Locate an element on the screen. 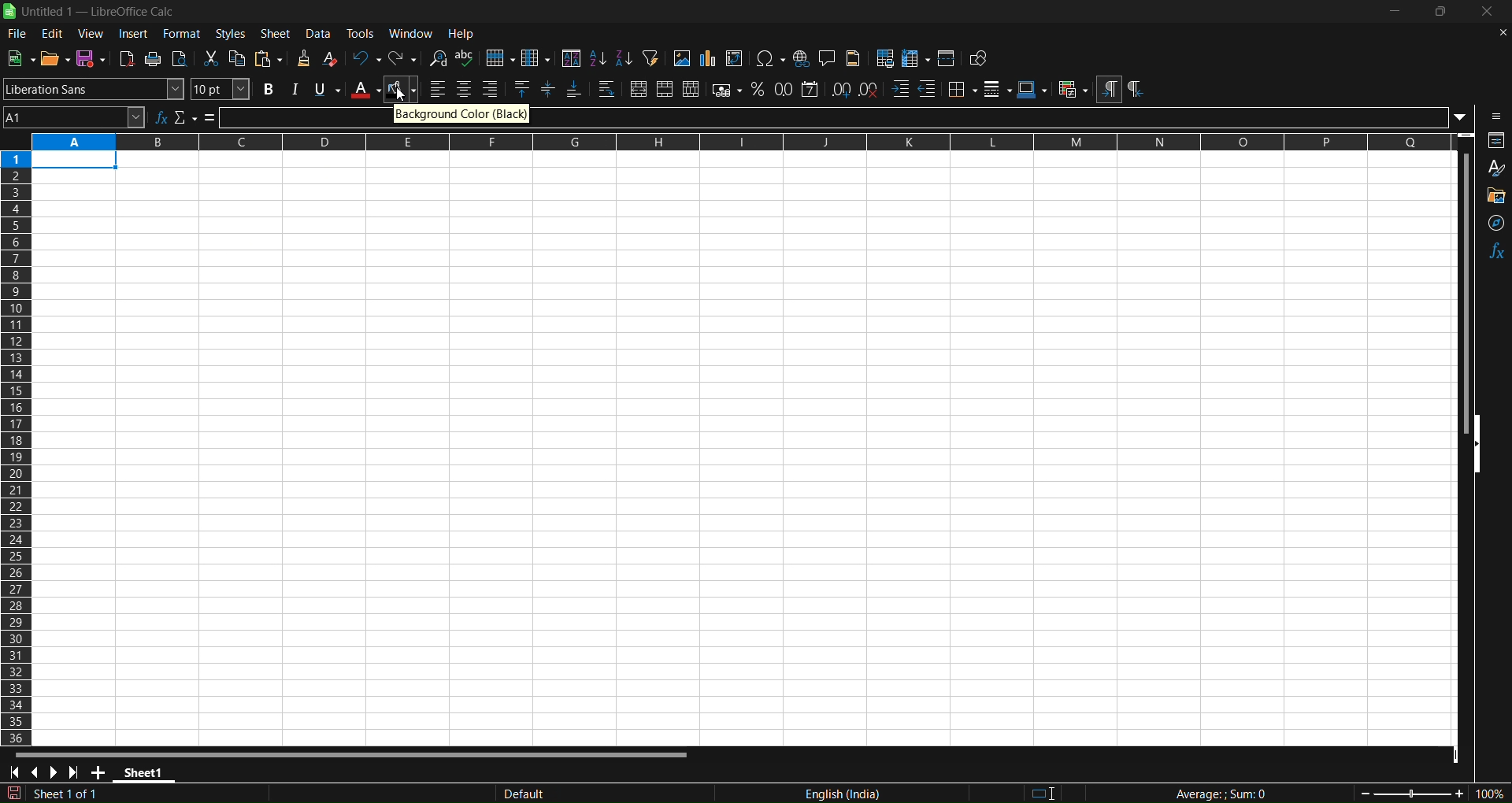 Image resolution: width=1512 pixels, height=803 pixels. insert comment is located at coordinates (825, 58).